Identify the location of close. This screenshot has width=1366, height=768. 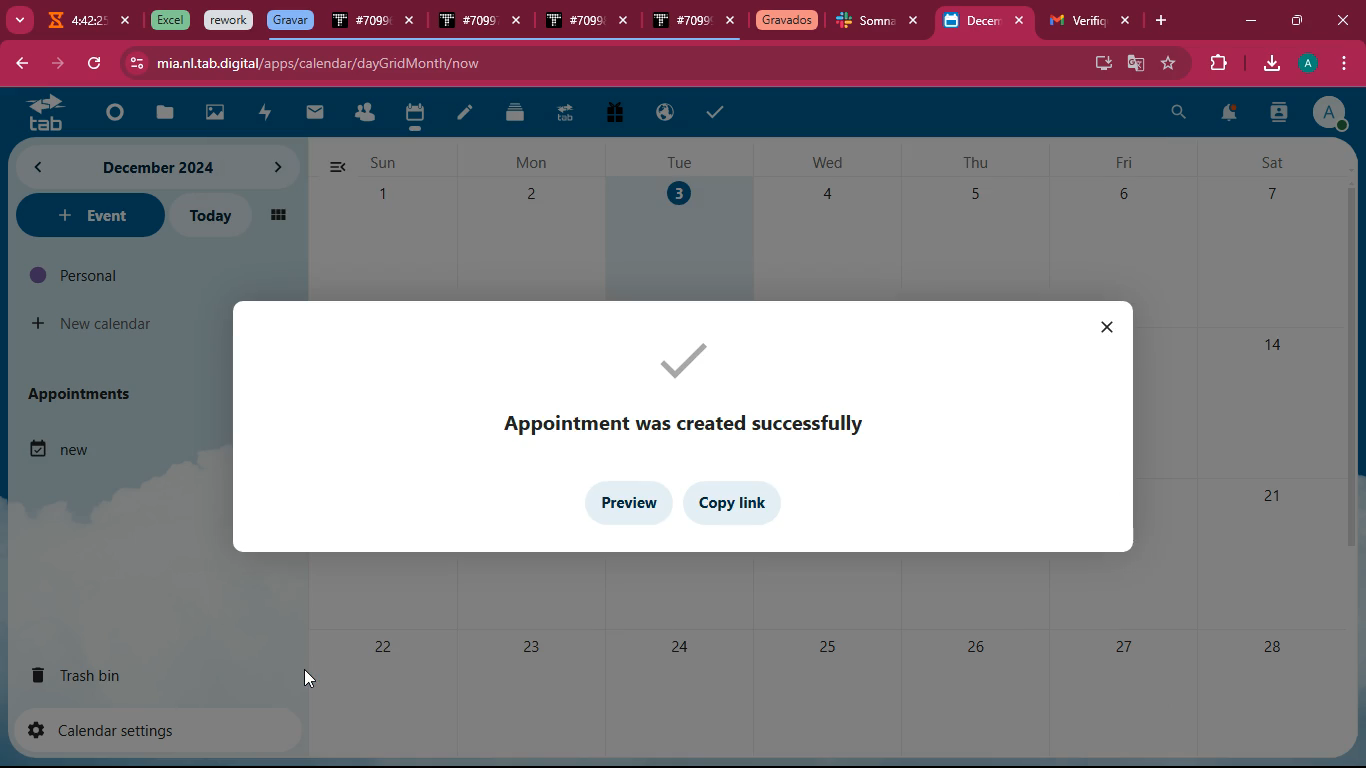
(521, 24).